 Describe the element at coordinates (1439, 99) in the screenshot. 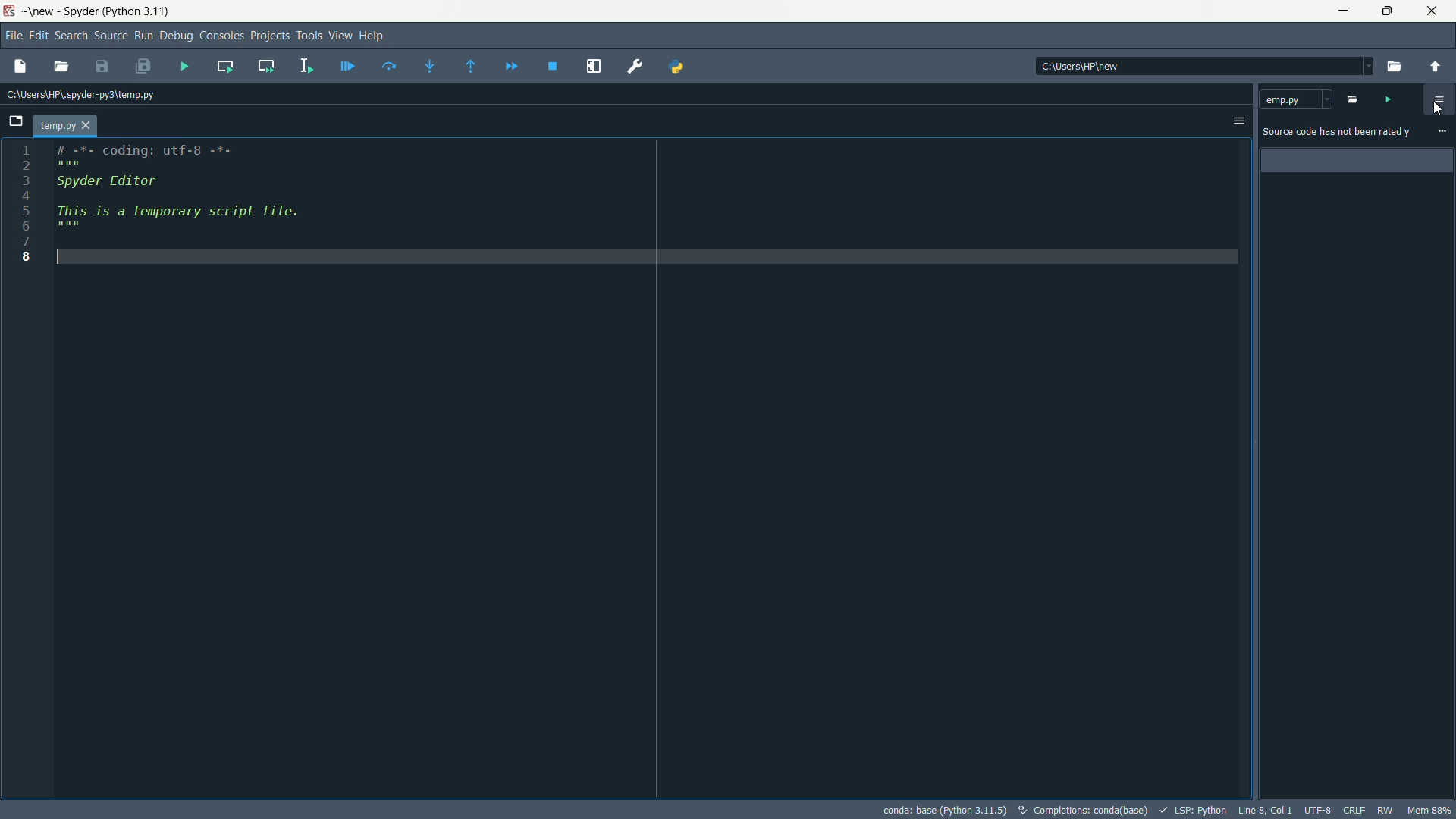

I see `code analysis settings` at that location.